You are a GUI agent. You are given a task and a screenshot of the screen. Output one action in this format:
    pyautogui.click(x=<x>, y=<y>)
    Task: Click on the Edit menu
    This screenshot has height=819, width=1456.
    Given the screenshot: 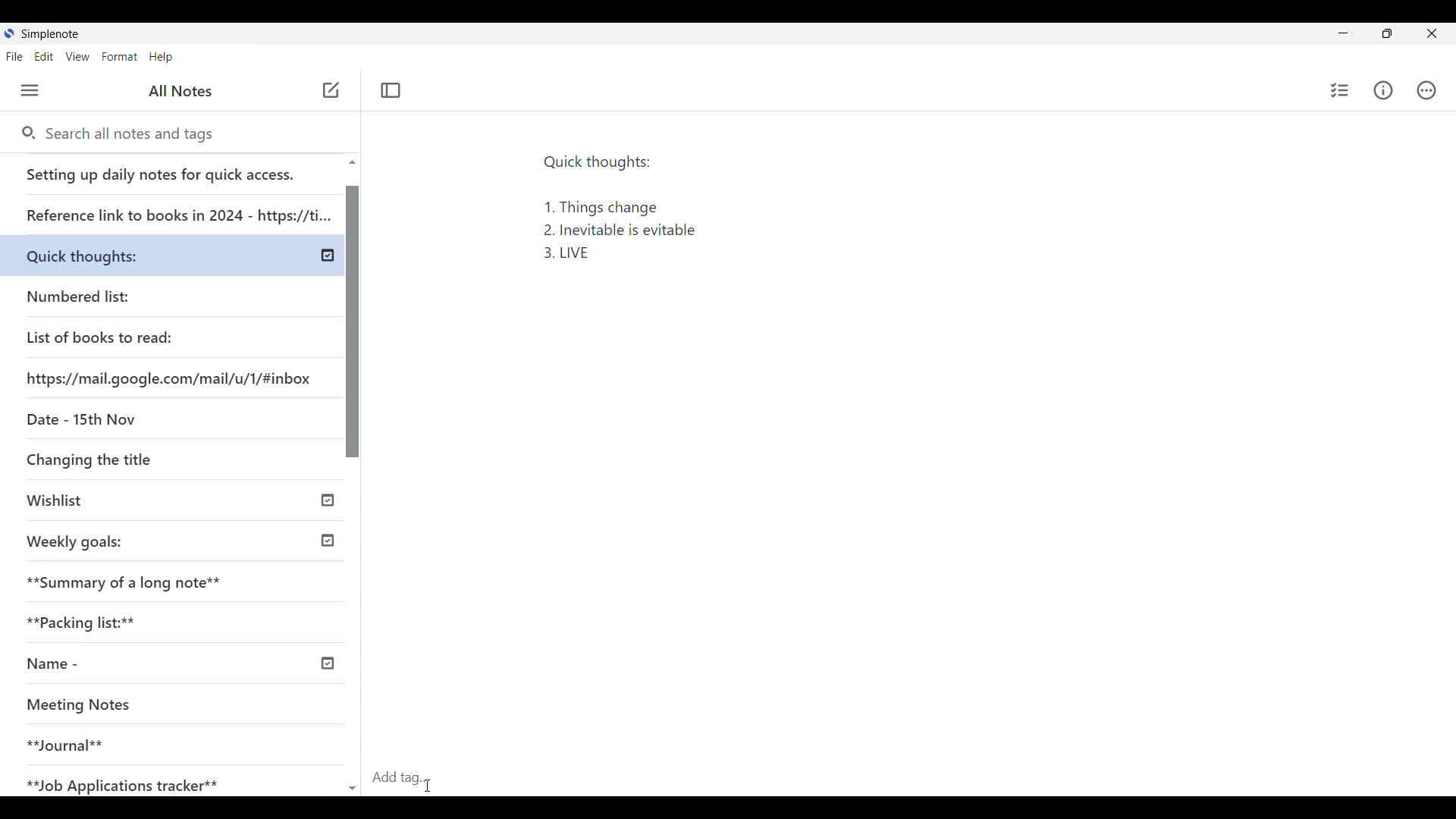 What is the action you would take?
    pyautogui.click(x=44, y=57)
    